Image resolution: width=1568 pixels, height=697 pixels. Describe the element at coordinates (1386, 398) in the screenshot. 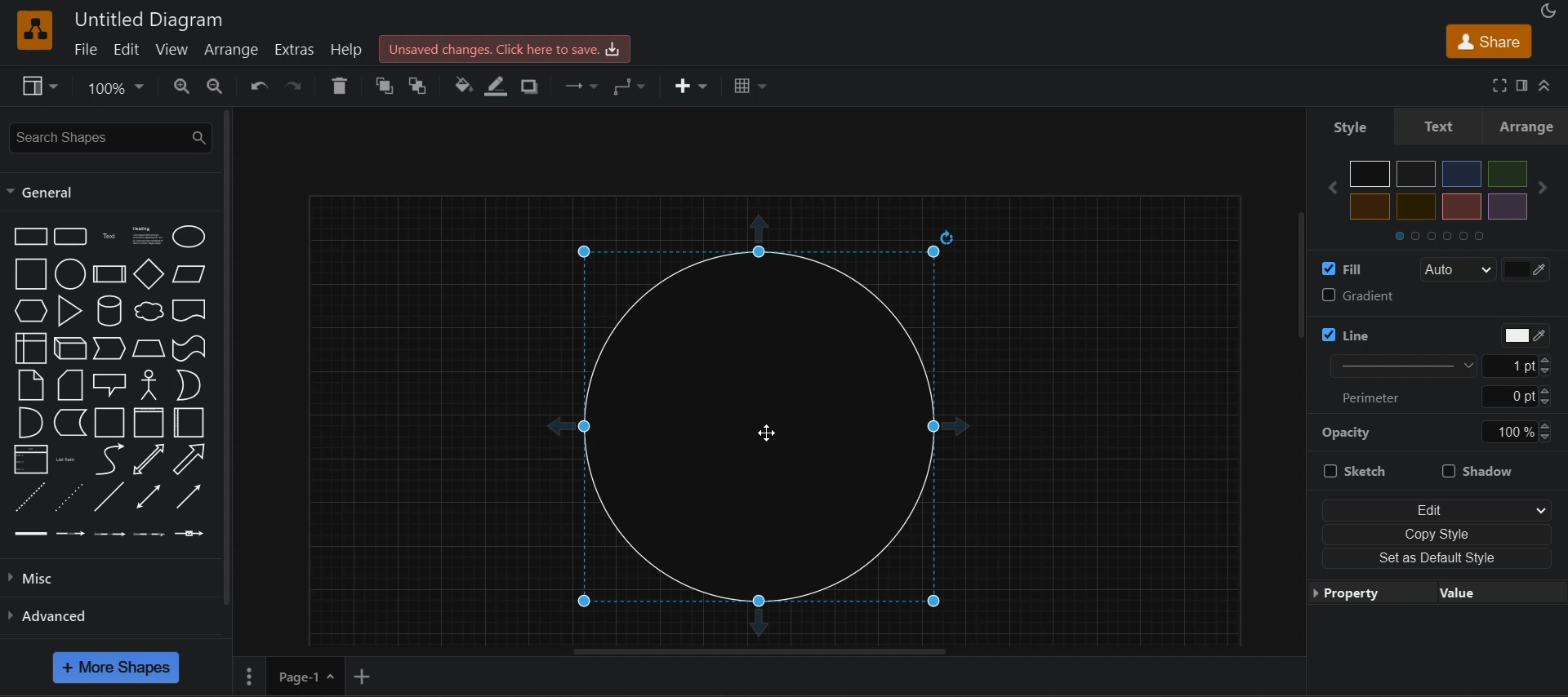

I see `perimeter` at that location.